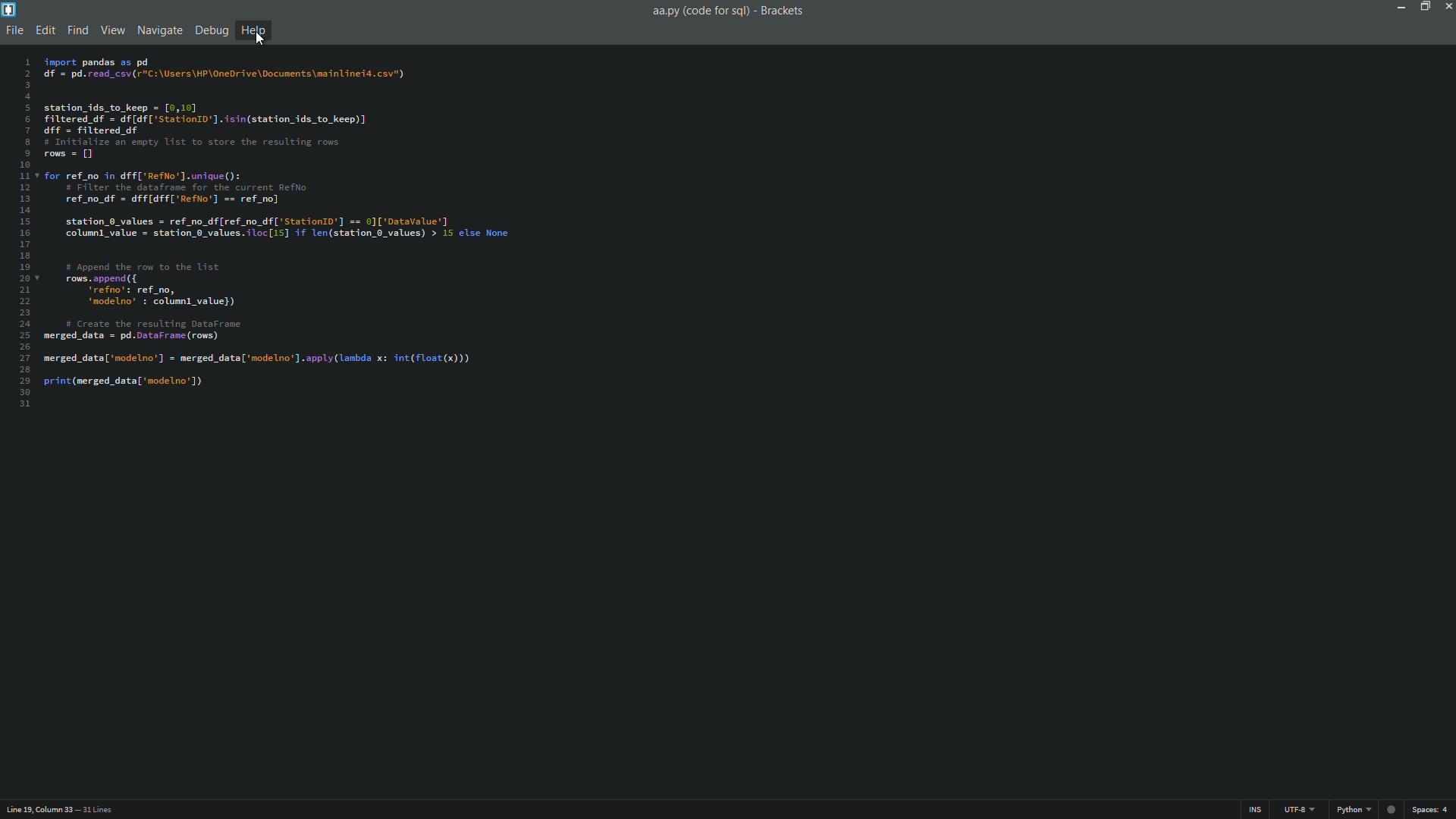 Image resolution: width=1456 pixels, height=819 pixels. What do you see at coordinates (1401, 7) in the screenshot?
I see `minimize` at bounding box center [1401, 7].